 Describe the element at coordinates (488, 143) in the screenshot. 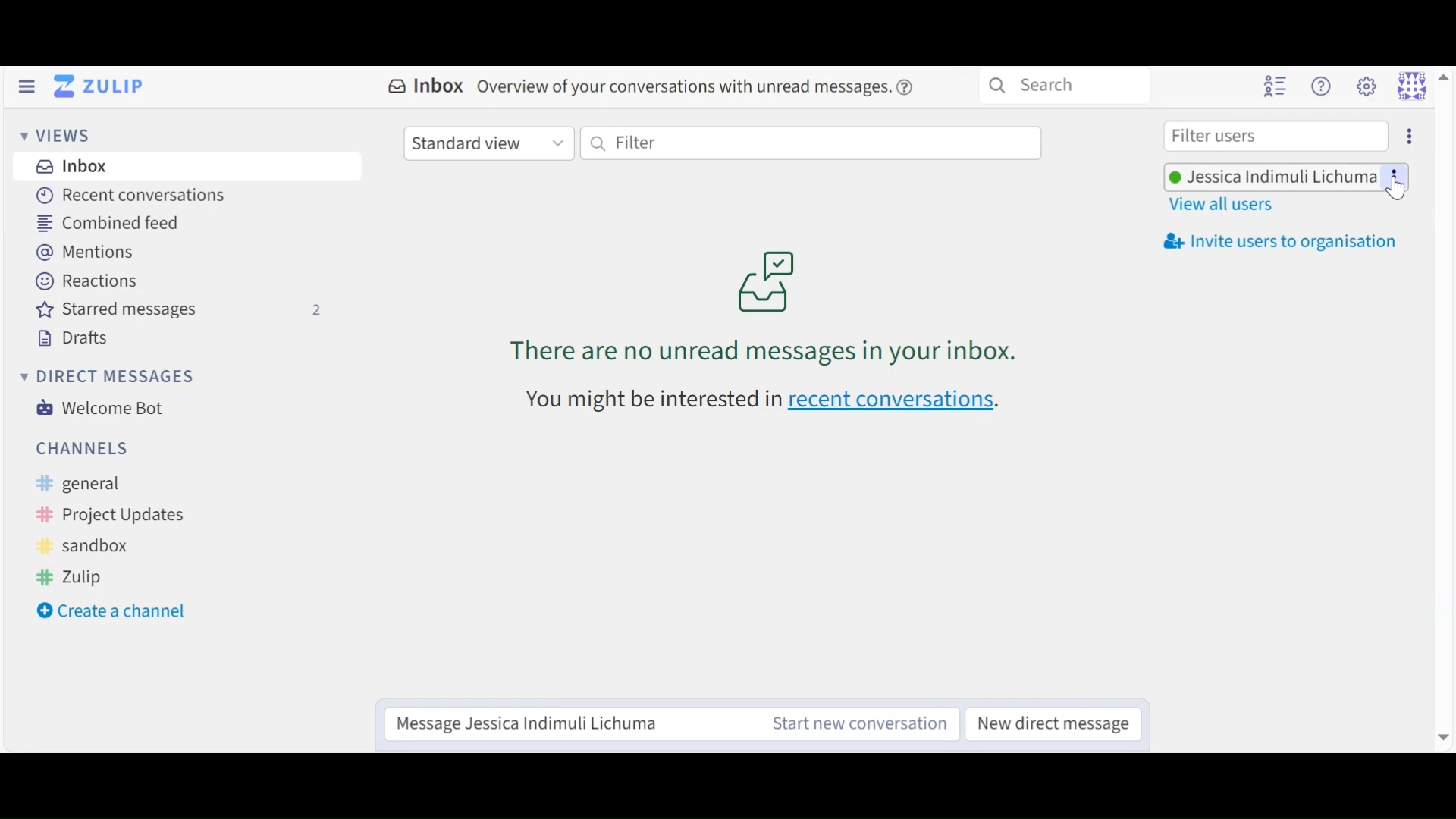

I see `Standard user` at that location.